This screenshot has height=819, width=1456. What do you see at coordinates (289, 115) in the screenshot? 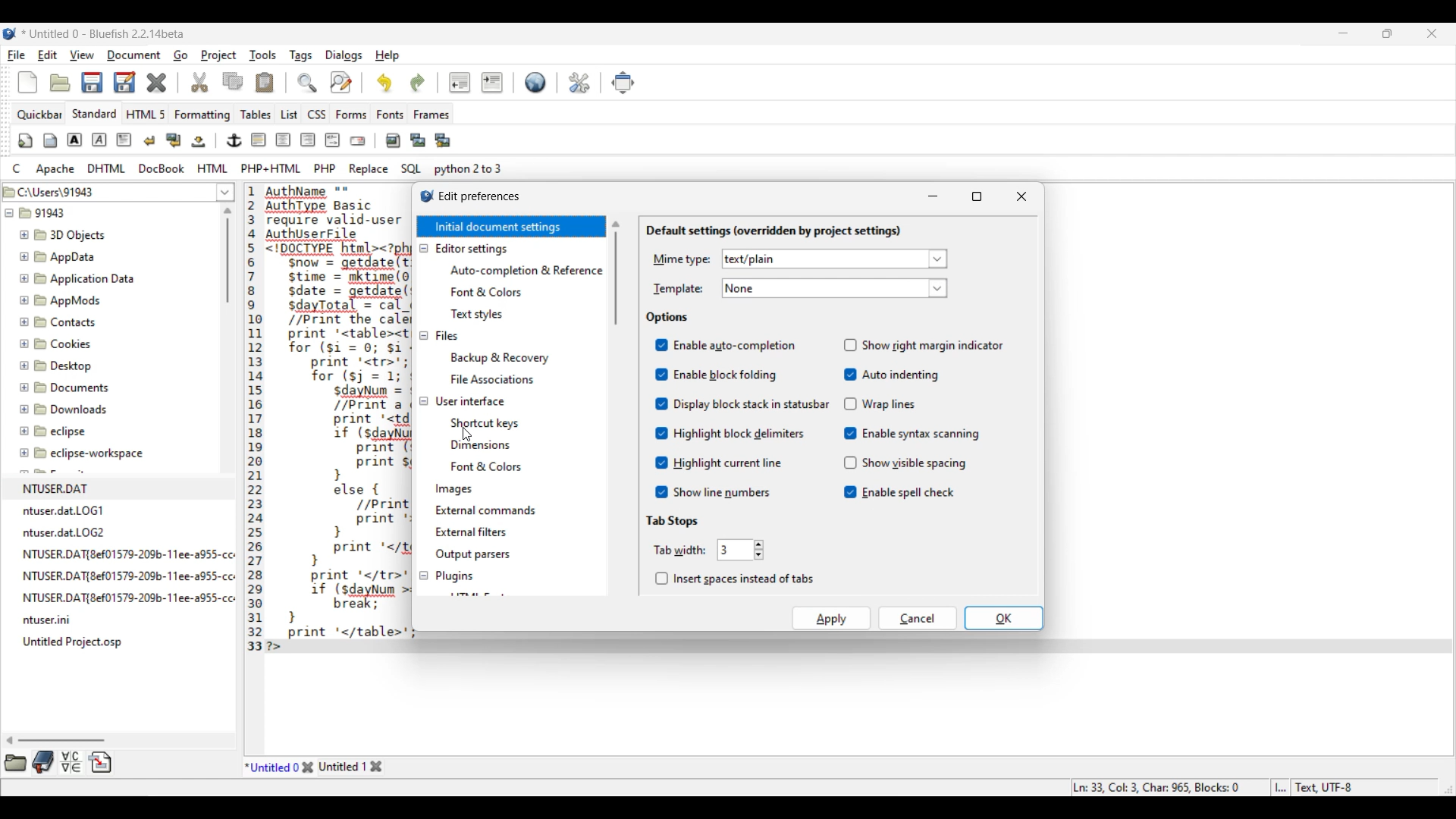
I see `List` at bounding box center [289, 115].